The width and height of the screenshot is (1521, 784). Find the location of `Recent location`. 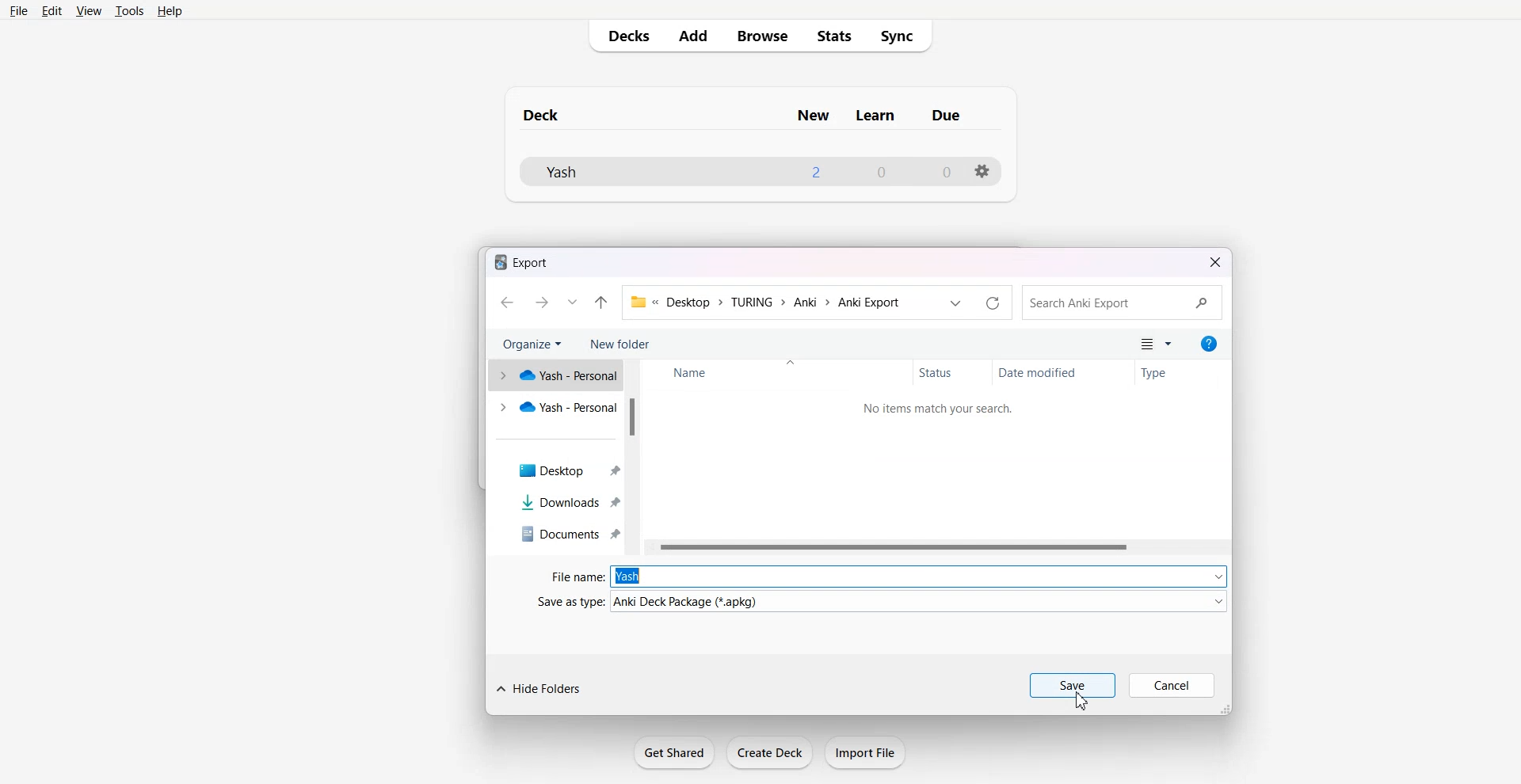

Recent location is located at coordinates (955, 303).